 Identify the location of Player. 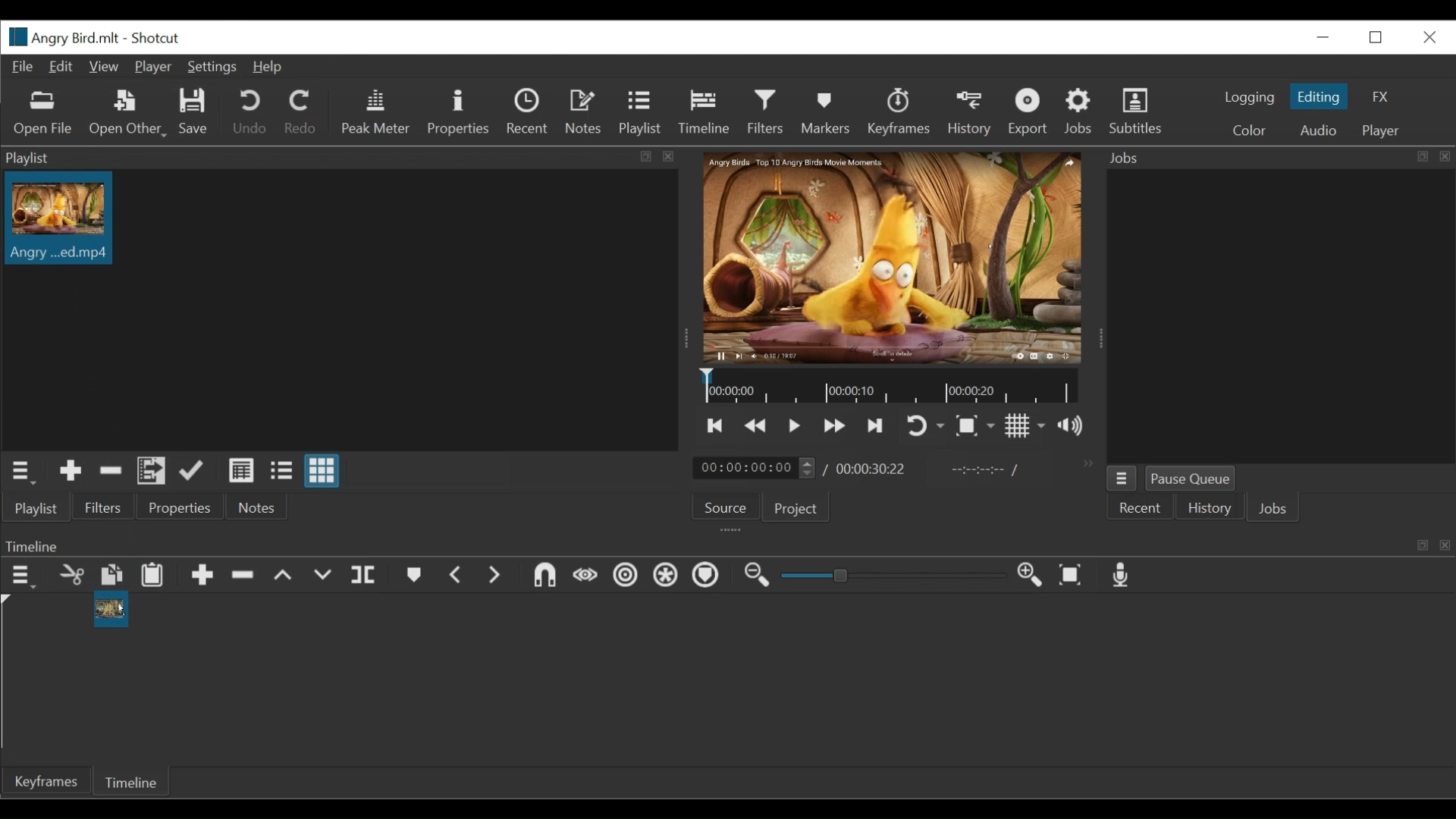
(153, 65).